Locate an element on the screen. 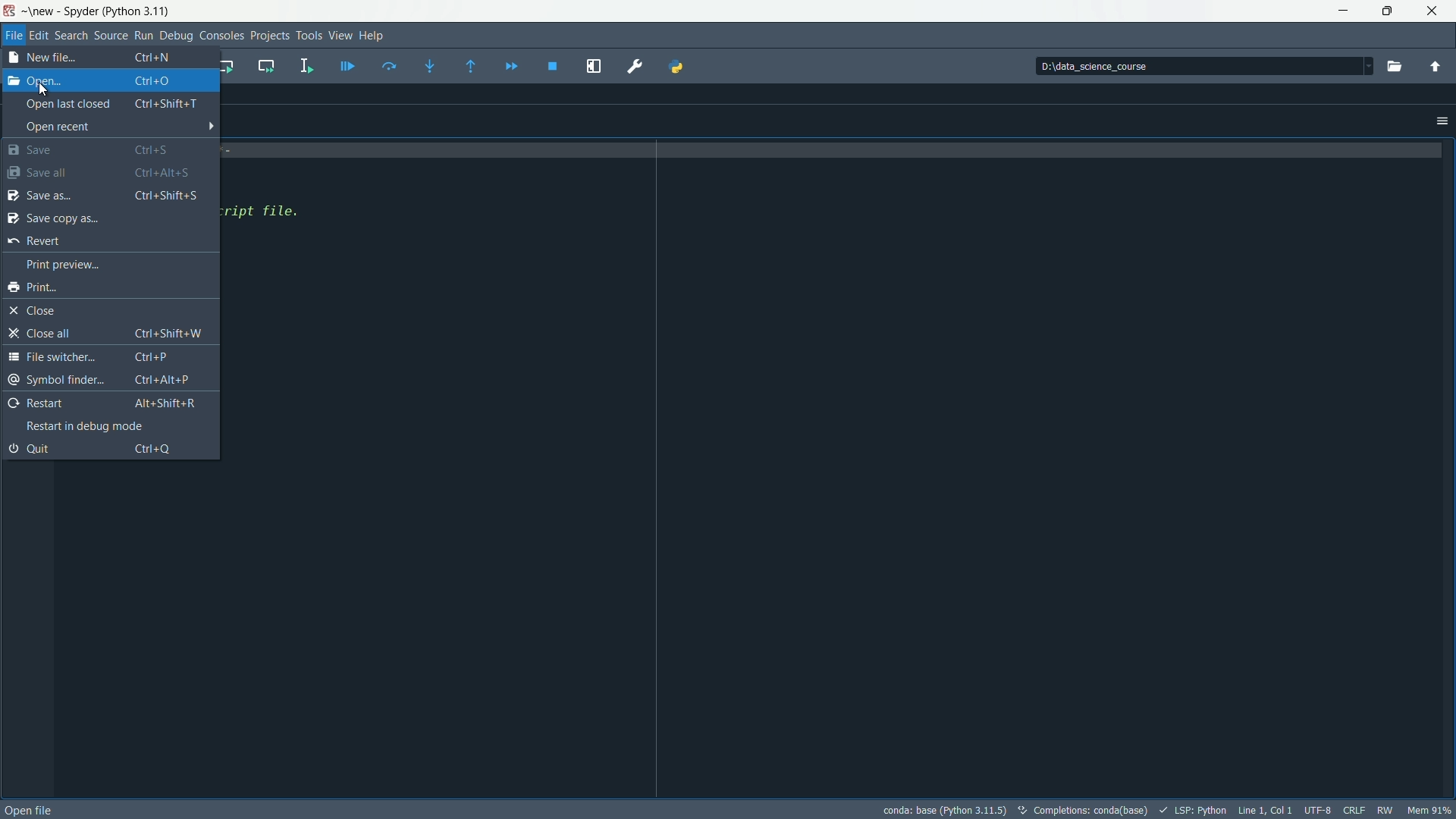 This screenshot has width=1456, height=819. tools menu is located at coordinates (309, 36).